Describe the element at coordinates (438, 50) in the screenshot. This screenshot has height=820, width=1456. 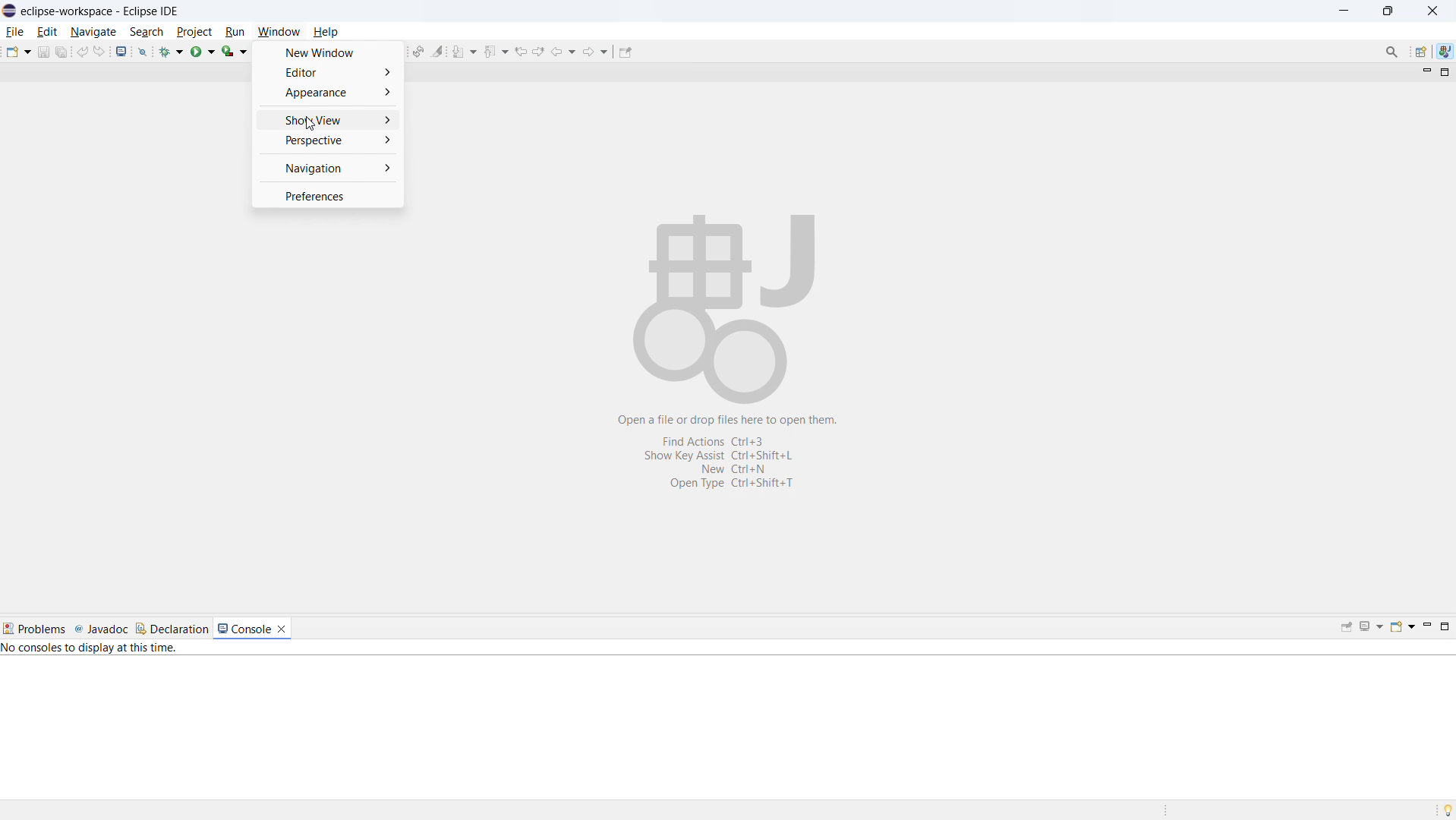
I see `toggle ant mark occurances` at that location.